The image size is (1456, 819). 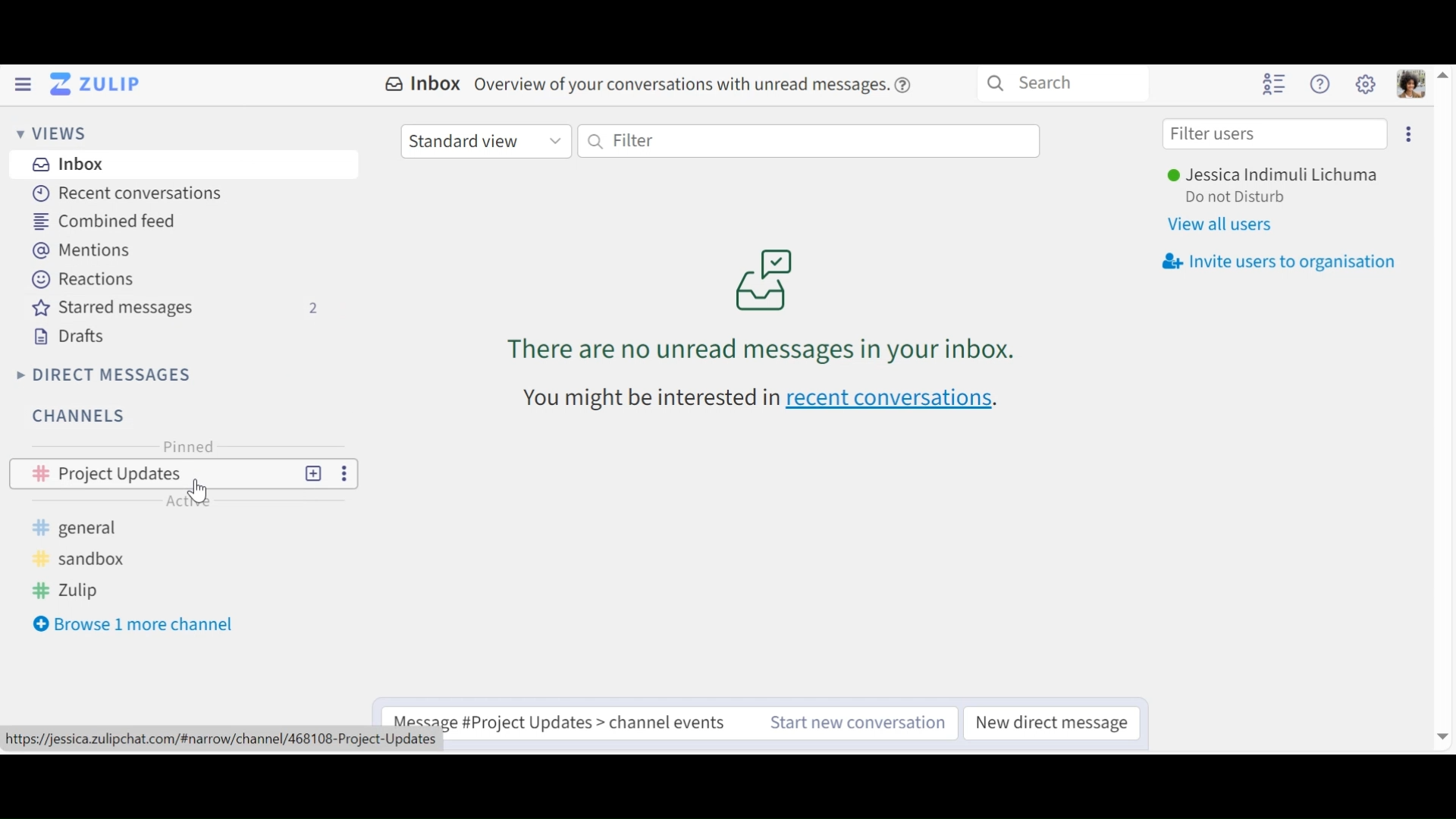 What do you see at coordinates (1240, 197) in the screenshot?
I see `Do not Disturb` at bounding box center [1240, 197].